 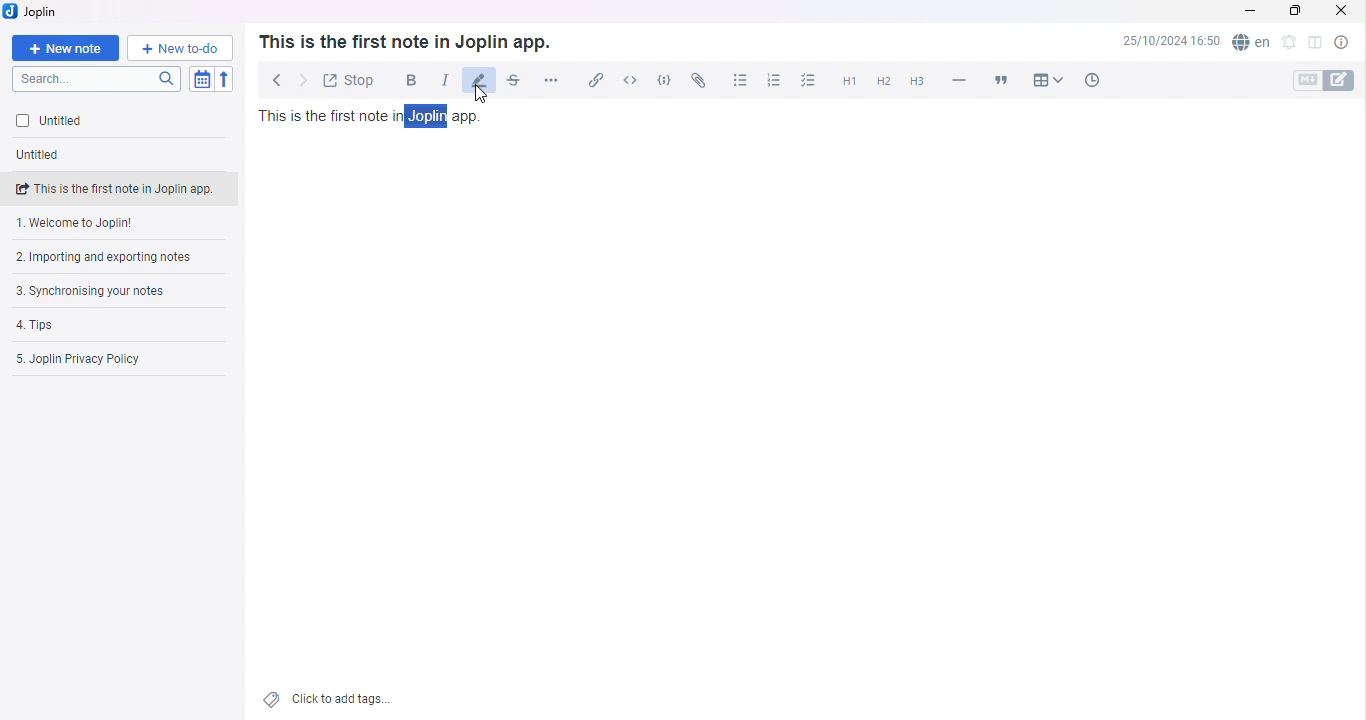 I want to click on Insert/edit link, so click(x=592, y=82).